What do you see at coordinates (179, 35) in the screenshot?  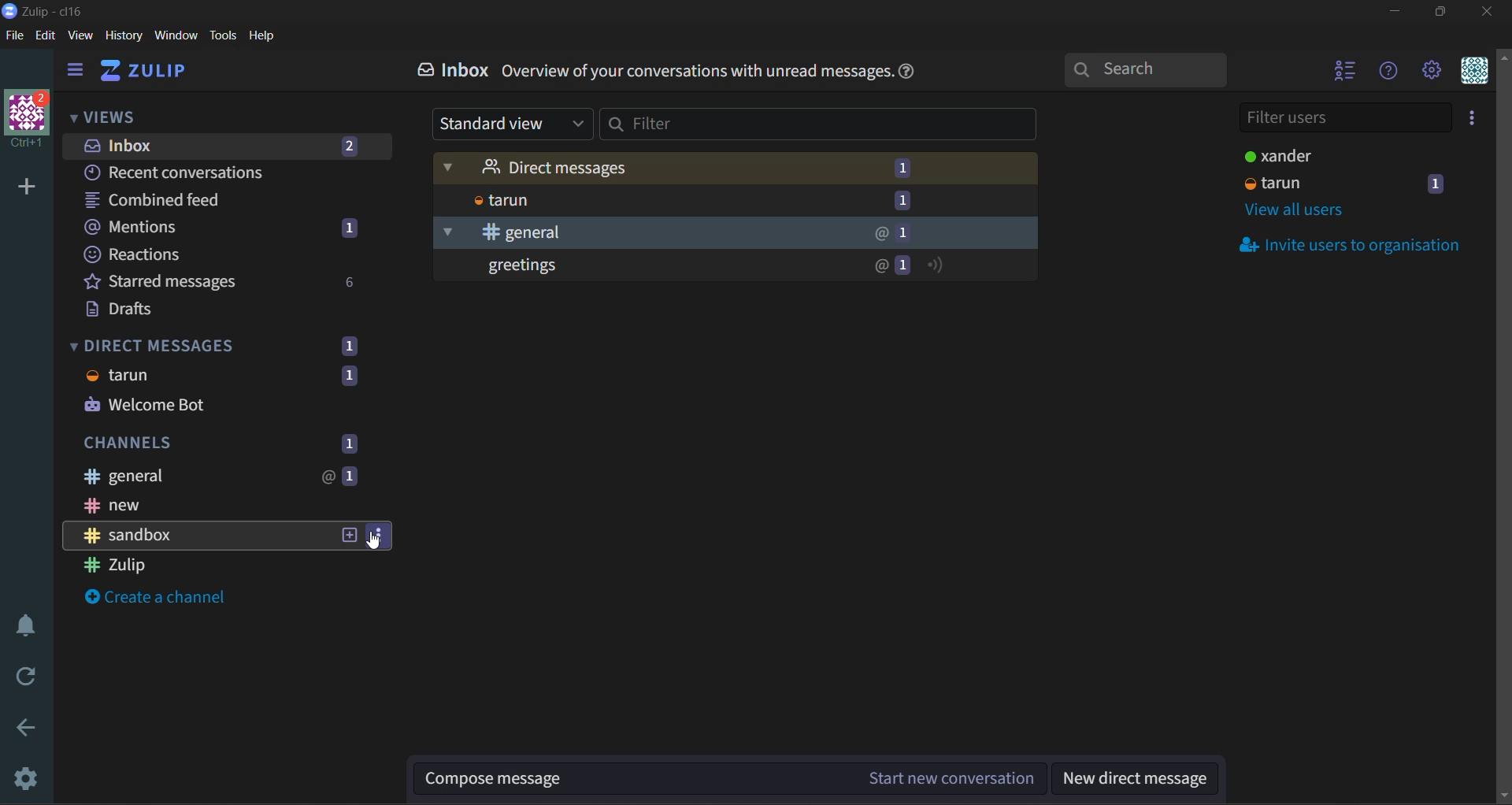 I see `window` at bounding box center [179, 35].